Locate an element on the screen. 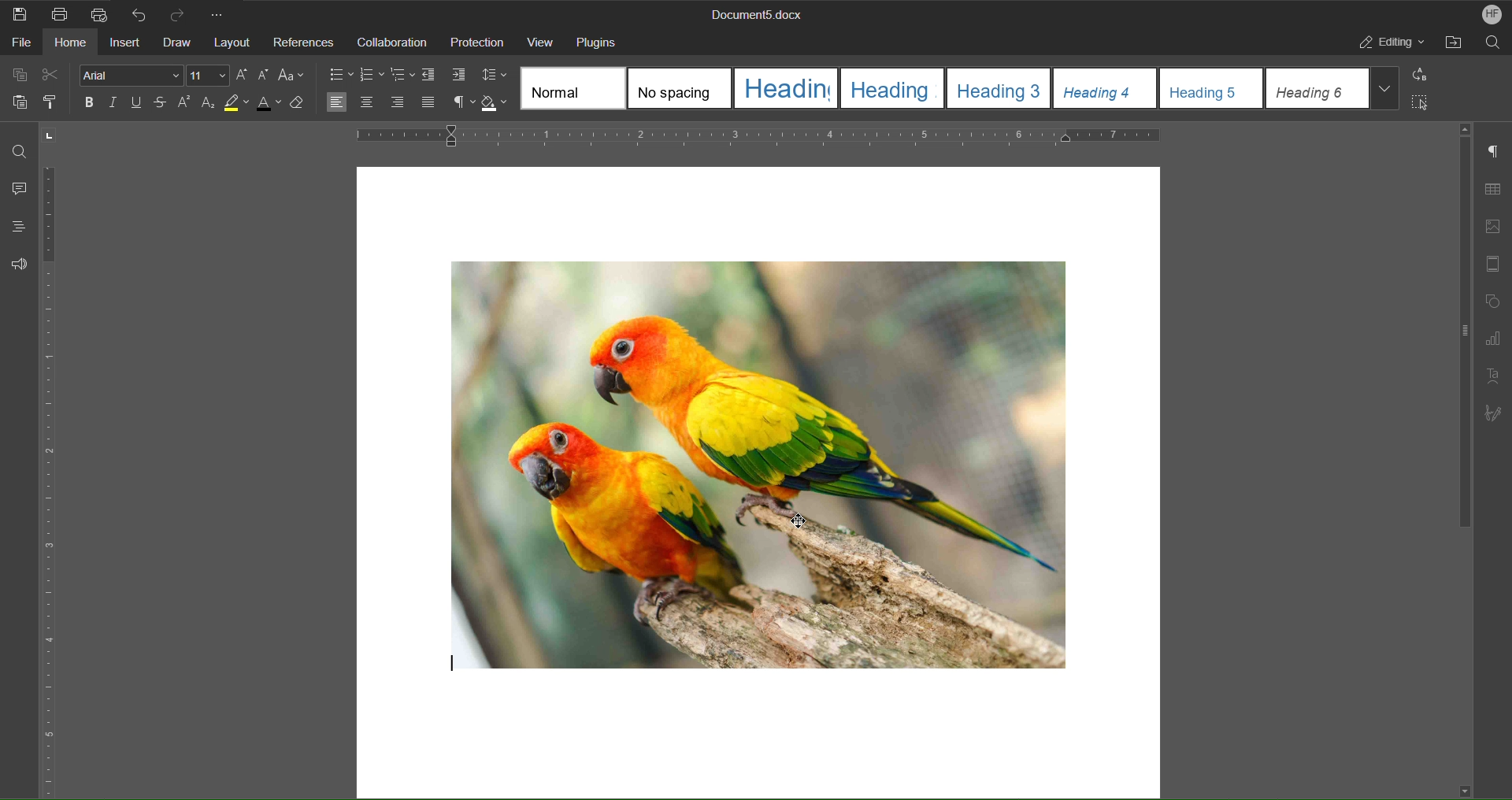 The width and height of the screenshot is (1512, 800). Image Settings is located at coordinates (1489, 228).